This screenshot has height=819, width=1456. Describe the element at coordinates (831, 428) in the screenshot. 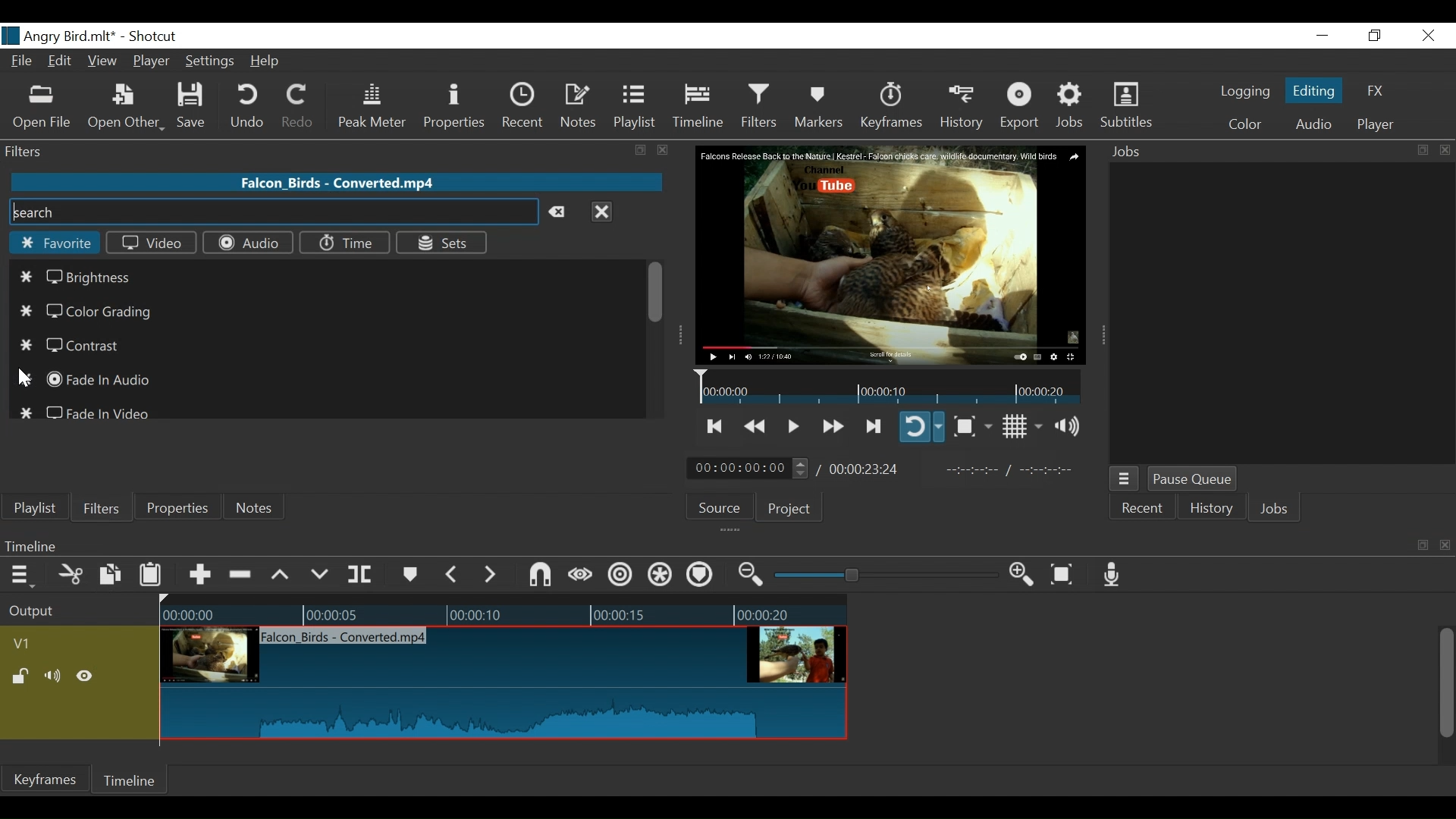

I see `play forward quickly` at that location.